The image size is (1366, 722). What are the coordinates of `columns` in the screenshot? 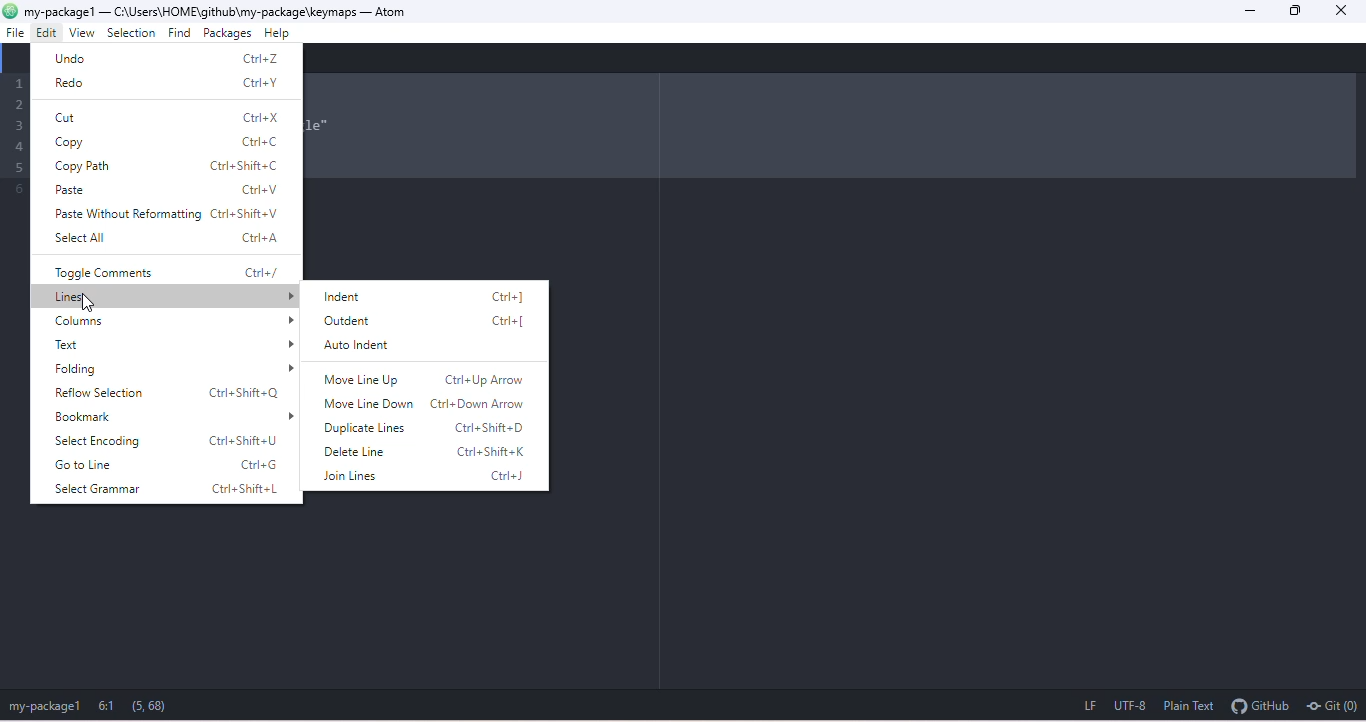 It's located at (172, 323).